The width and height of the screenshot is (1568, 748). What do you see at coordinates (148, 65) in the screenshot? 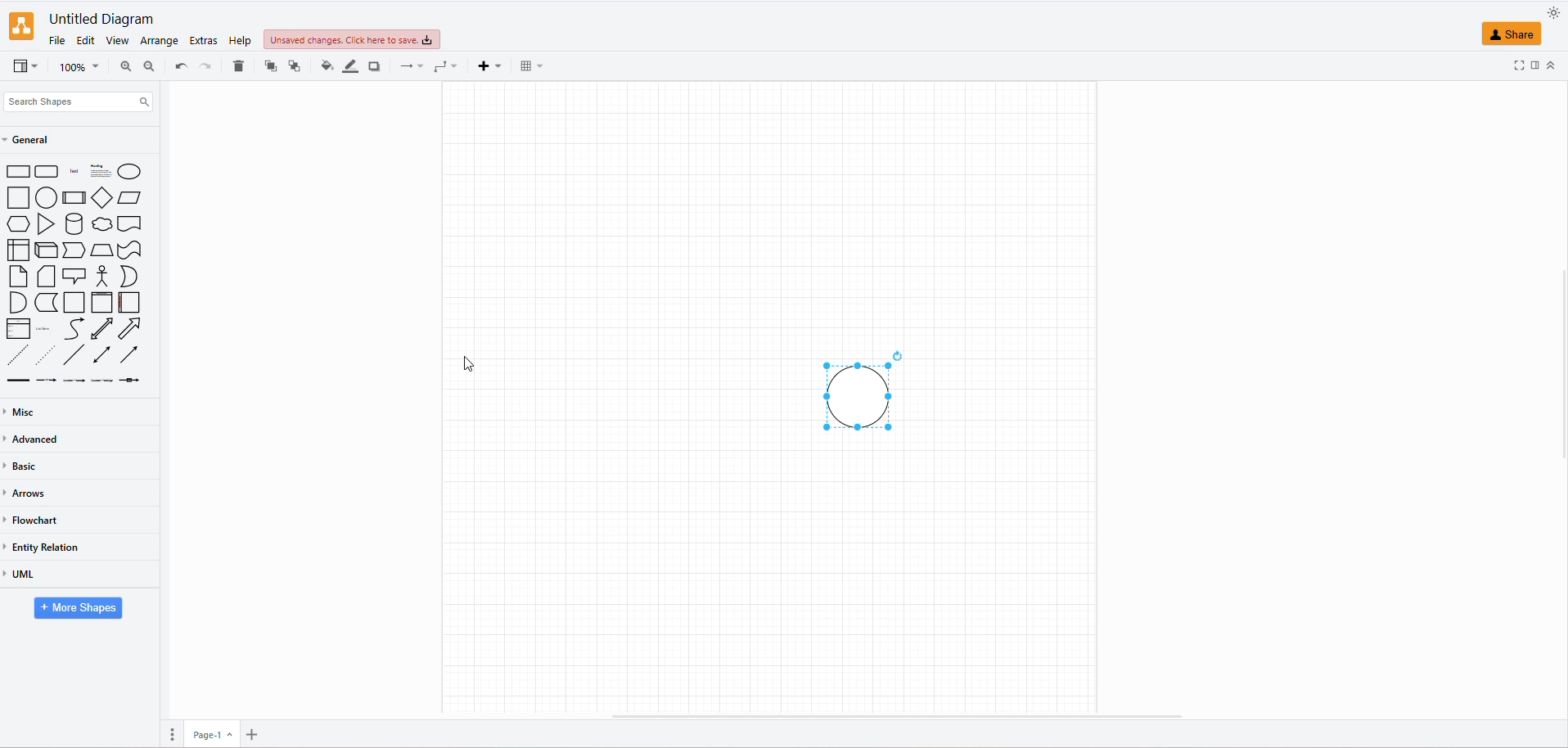
I see `ZOOM OUT` at bounding box center [148, 65].